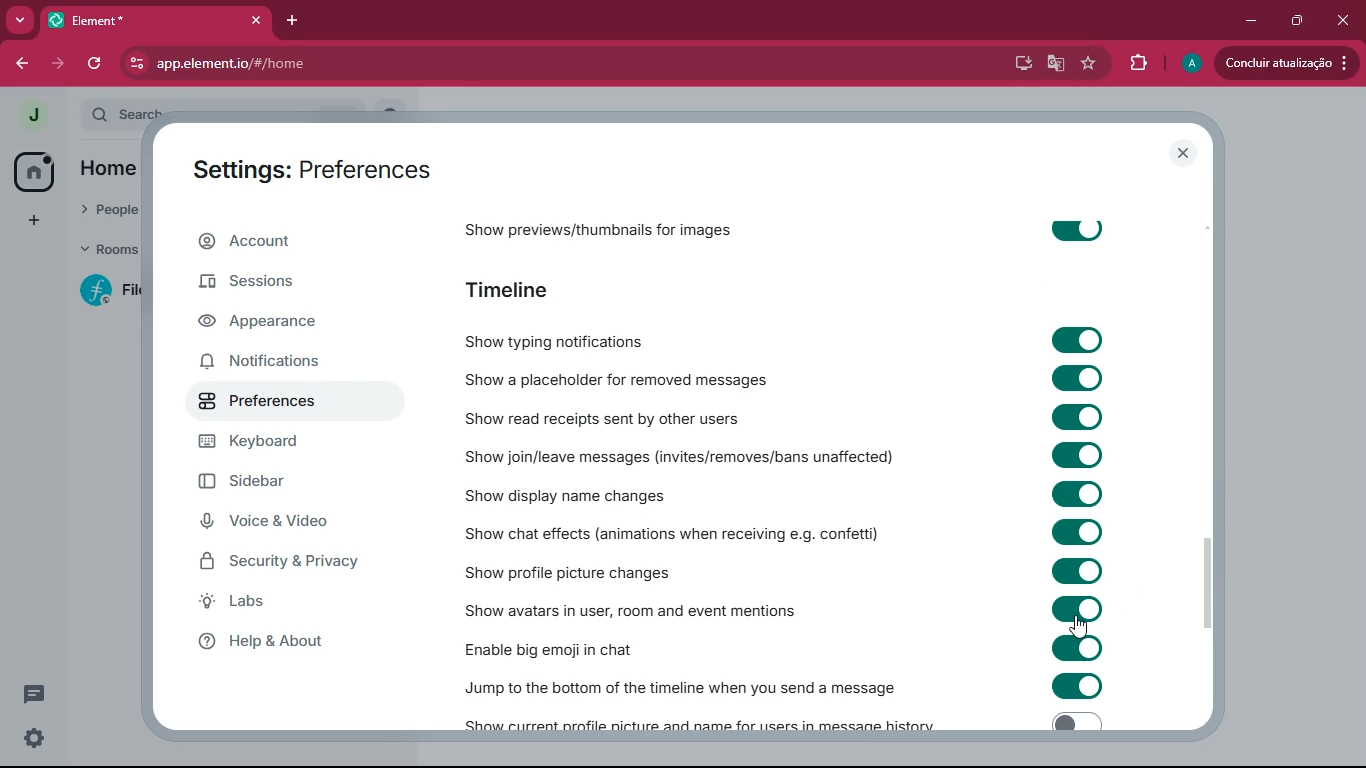 Image resolution: width=1366 pixels, height=768 pixels. What do you see at coordinates (1079, 381) in the screenshot?
I see `toggle on ` at bounding box center [1079, 381].